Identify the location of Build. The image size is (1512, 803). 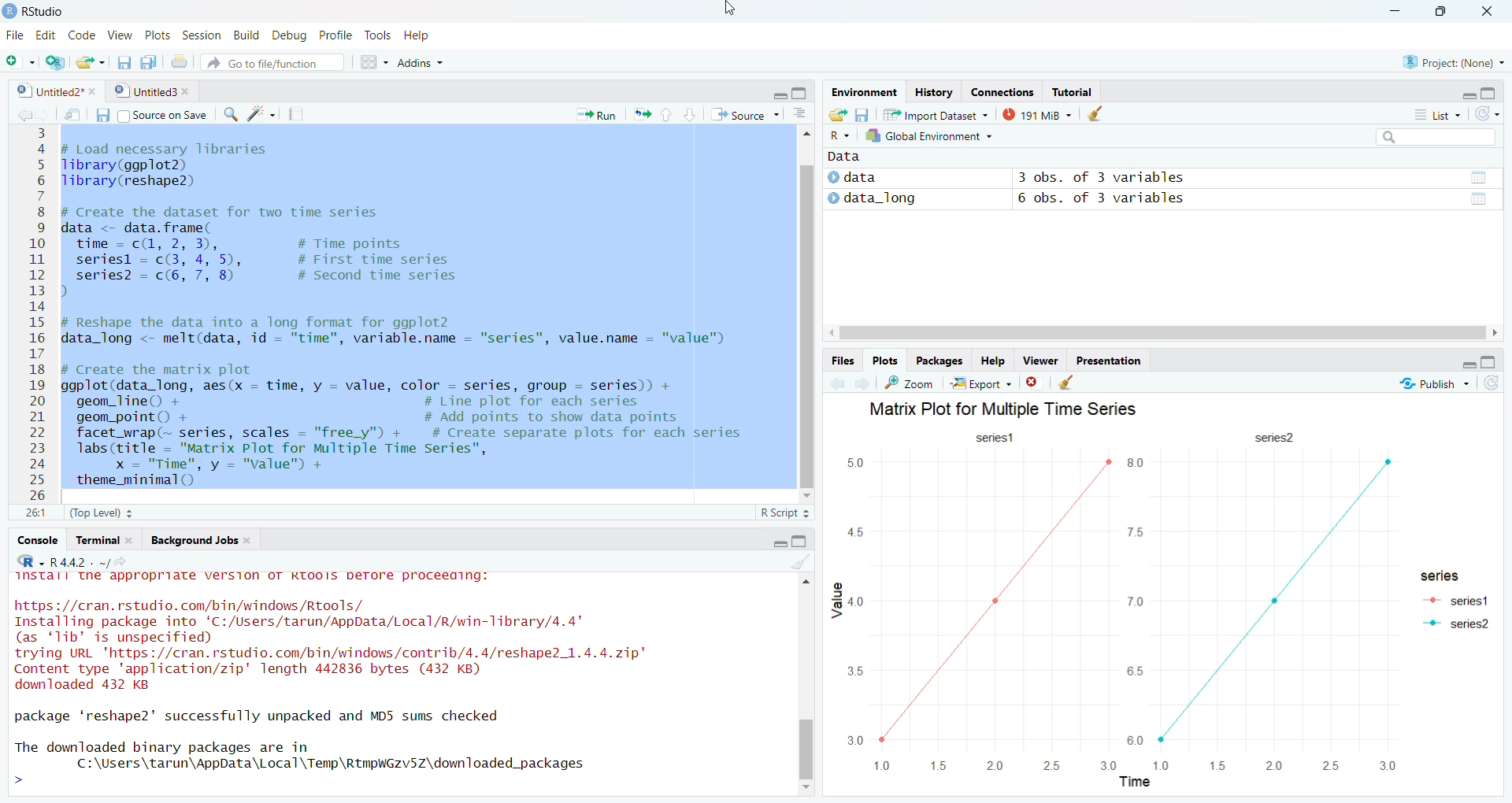
(245, 35).